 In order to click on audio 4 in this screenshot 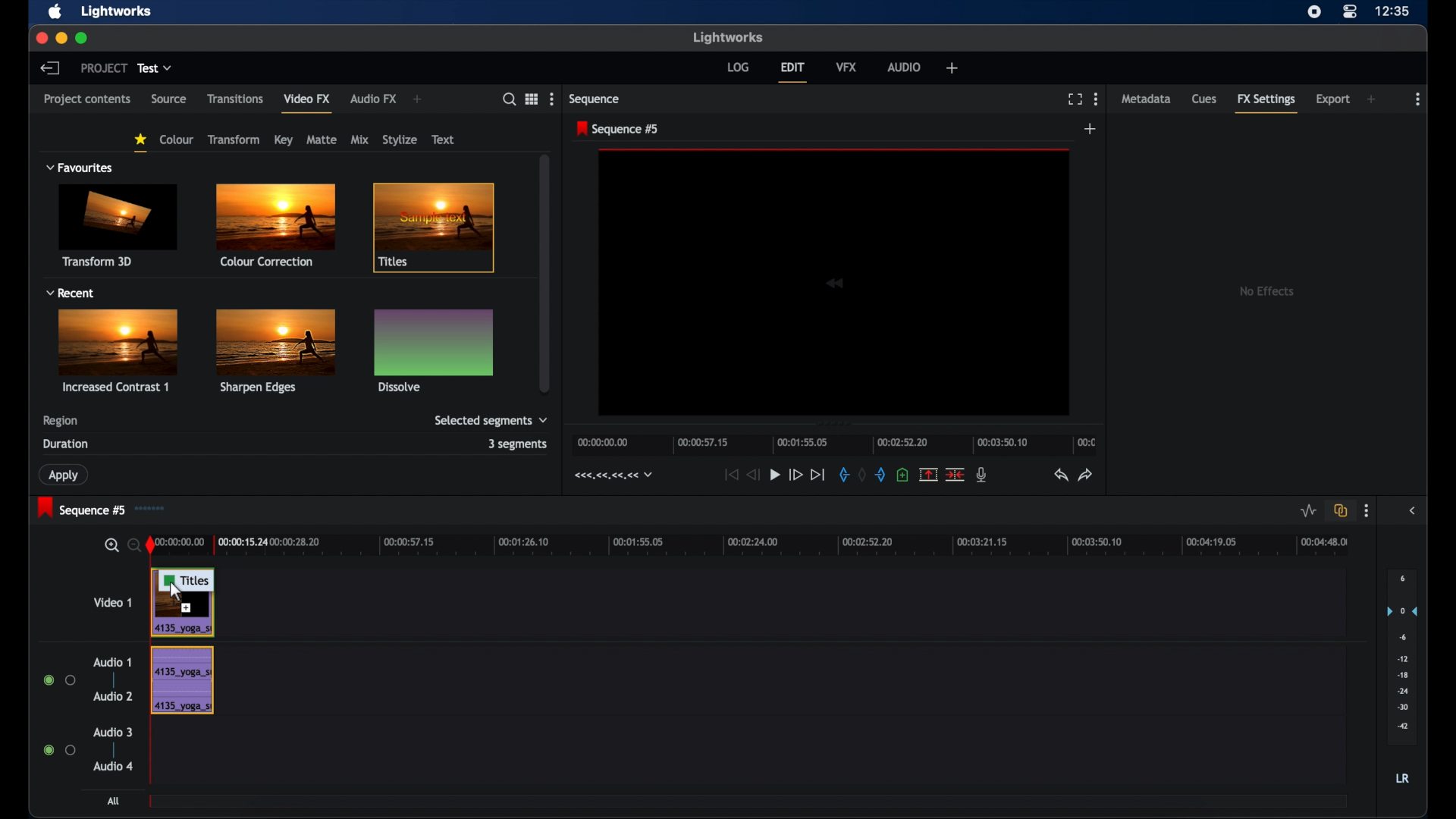, I will do `click(114, 765)`.